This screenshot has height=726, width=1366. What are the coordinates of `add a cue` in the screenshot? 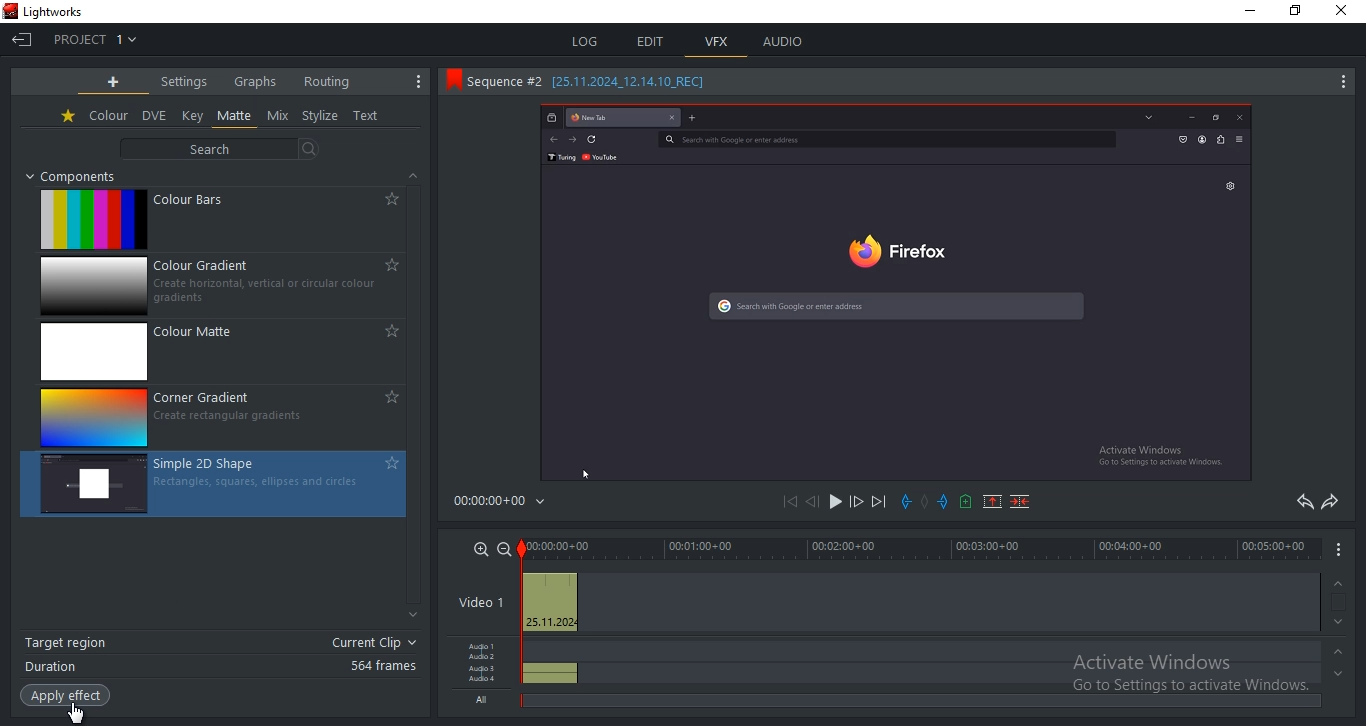 It's located at (964, 503).